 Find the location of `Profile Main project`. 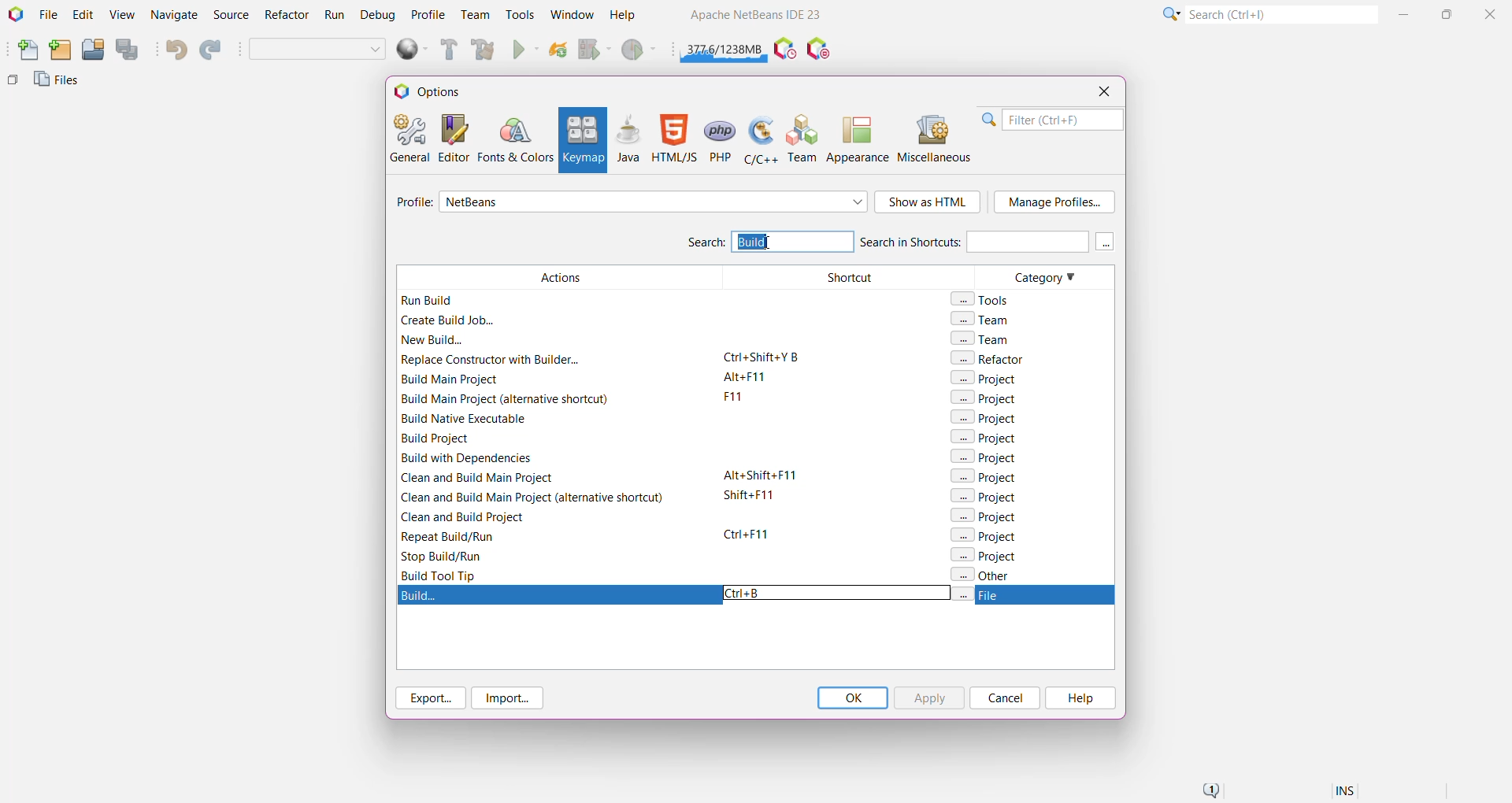

Profile Main project is located at coordinates (640, 51).